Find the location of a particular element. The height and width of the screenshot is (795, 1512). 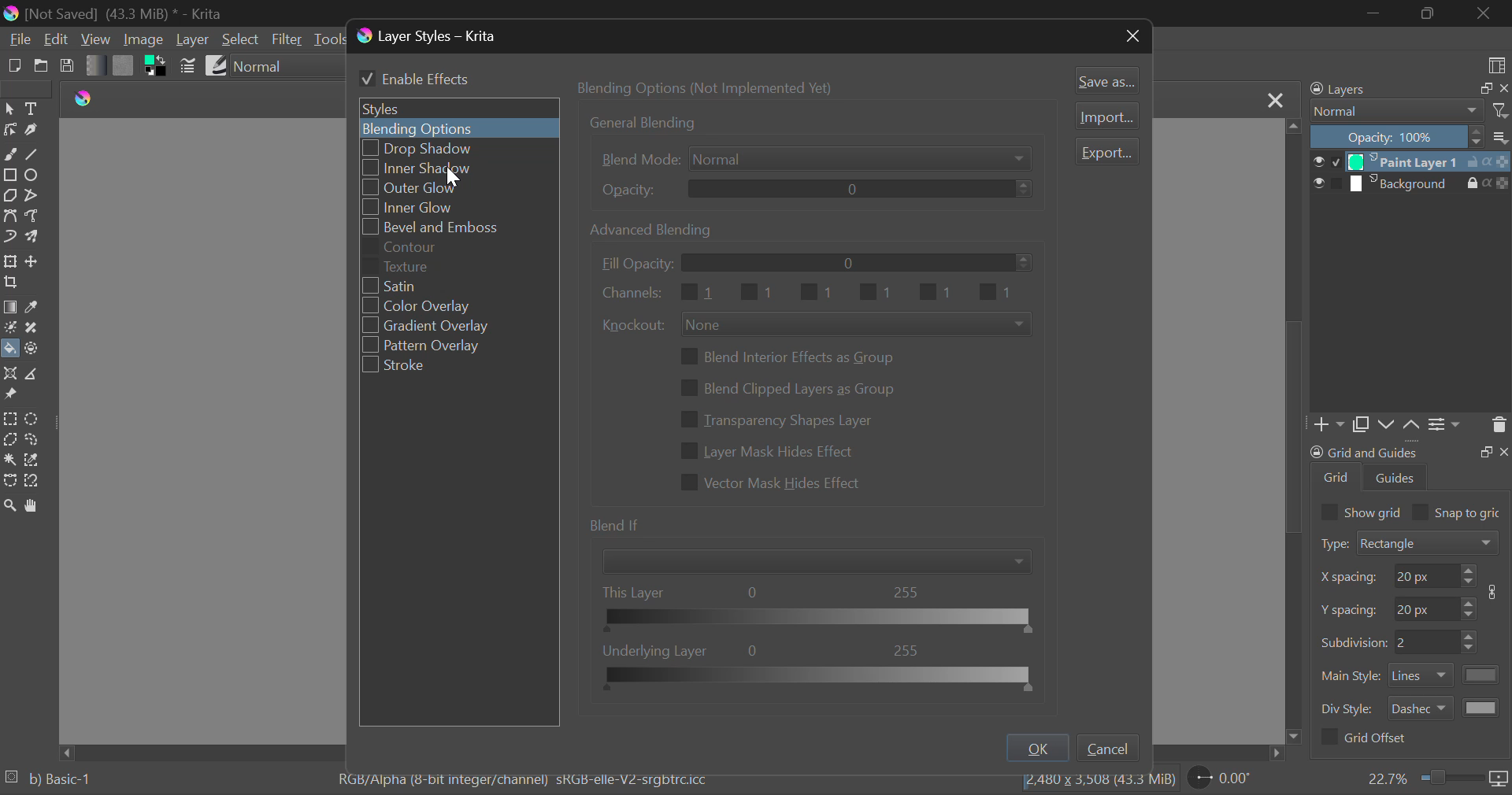

OK is located at coordinates (1035, 749).